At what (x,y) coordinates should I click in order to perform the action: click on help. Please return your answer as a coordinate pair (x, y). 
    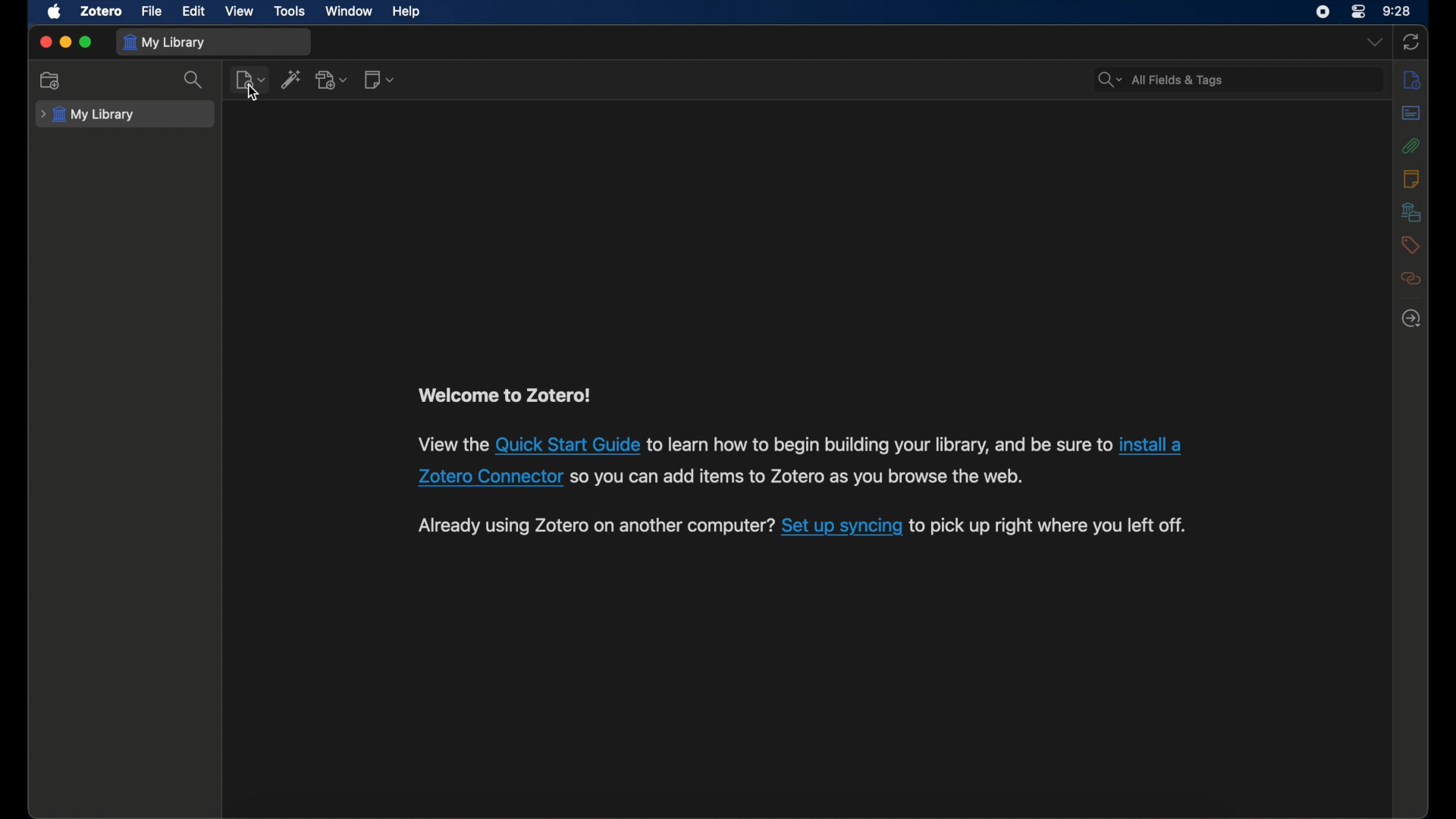
    Looking at the image, I should click on (406, 11).